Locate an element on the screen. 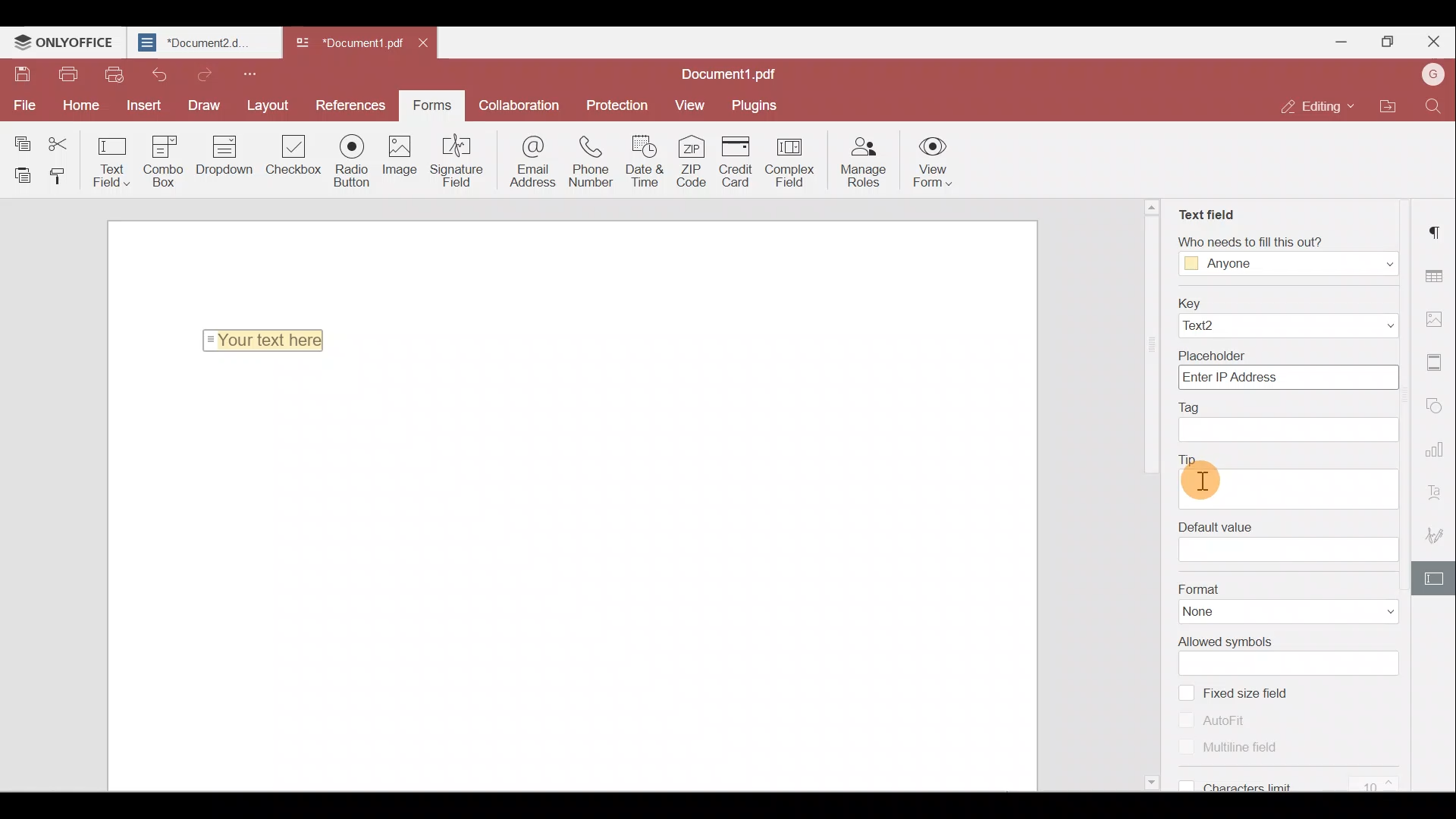 The width and height of the screenshot is (1456, 819). Dropdown is located at coordinates (1359, 326).